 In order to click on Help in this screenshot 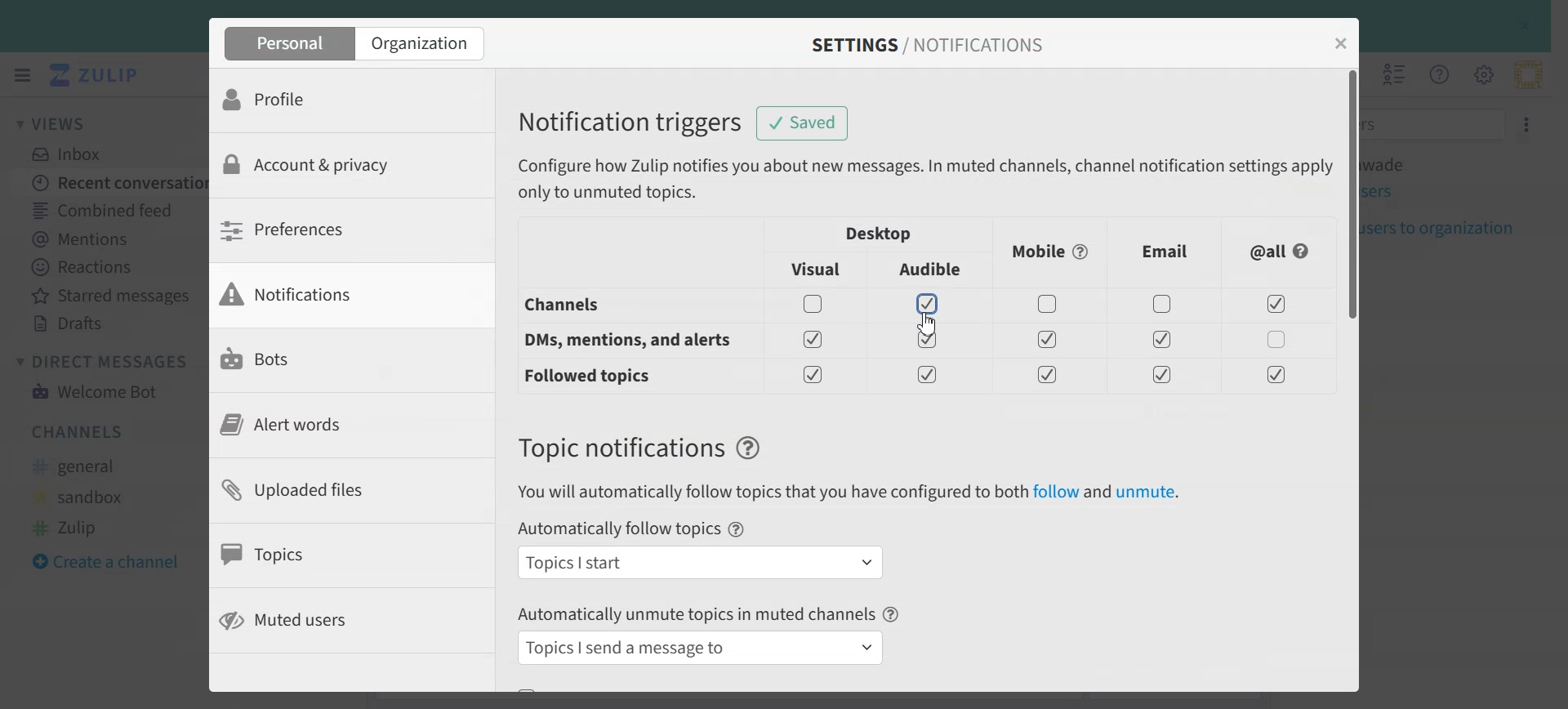, I will do `click(892, 614)`.